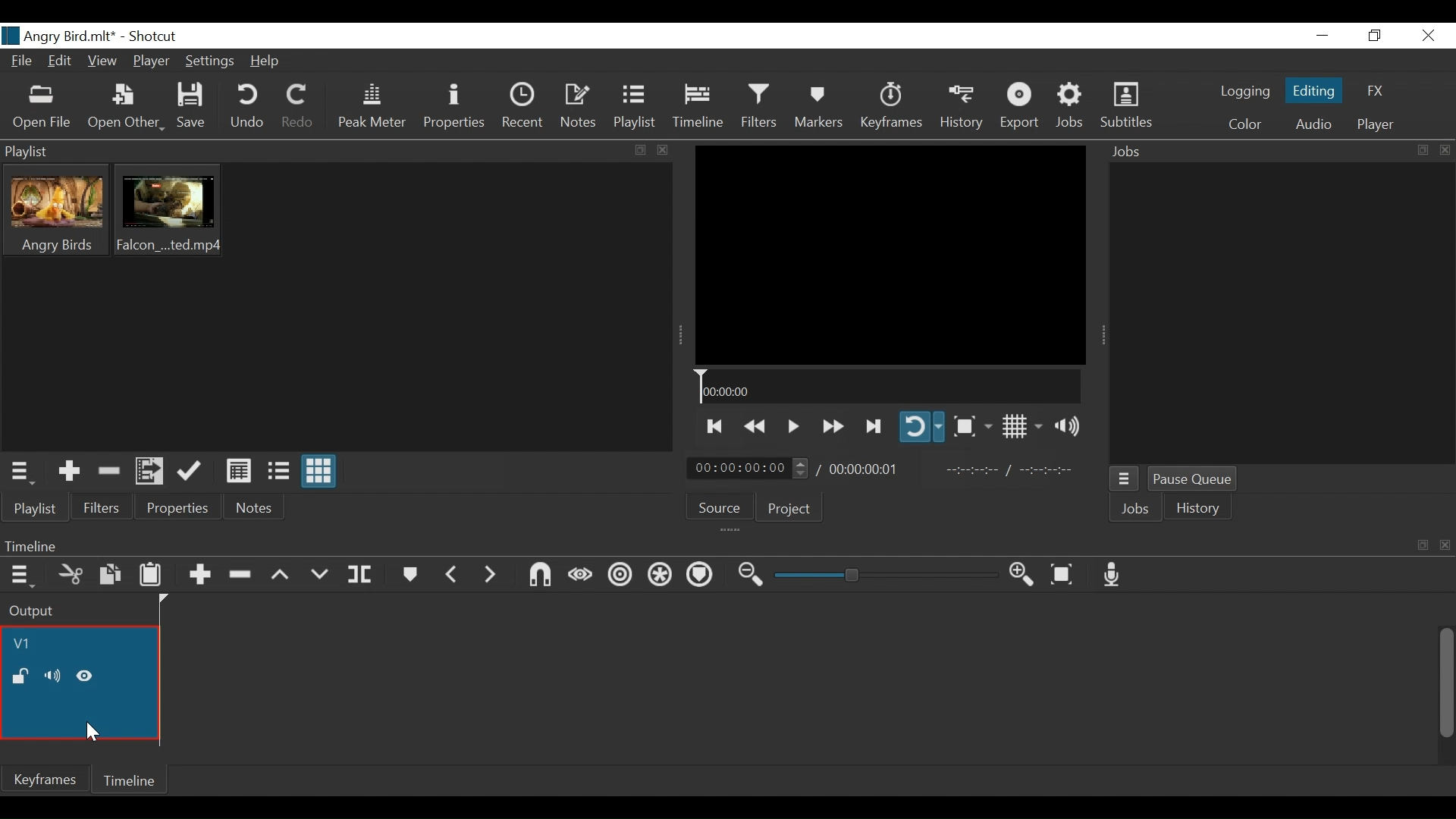 The image size is (1456, 819). Describe the element at coordinates (1423, 150) in the screenshot. I see `expand` at that location.